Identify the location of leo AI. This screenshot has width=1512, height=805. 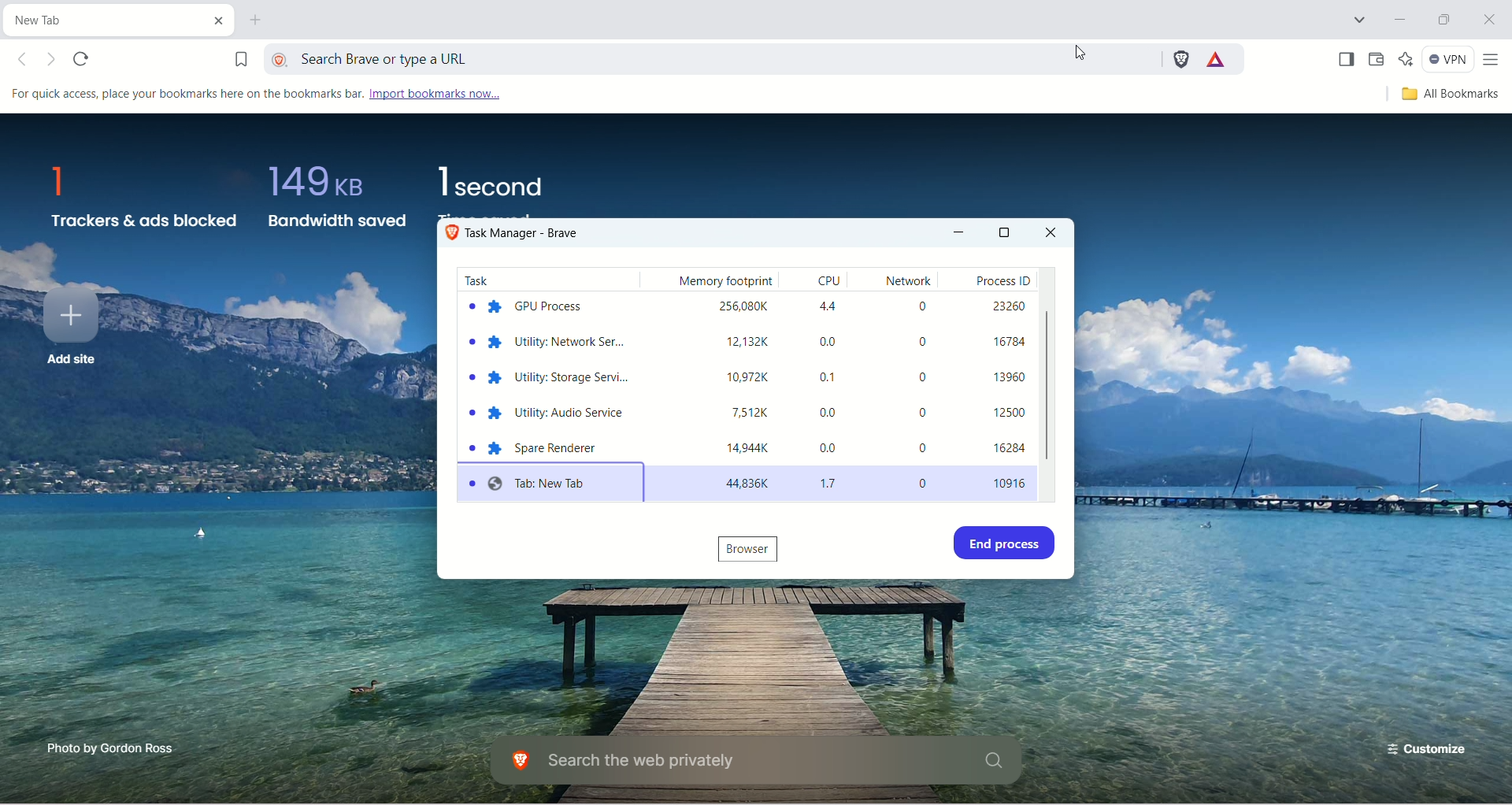
(1406, 57).